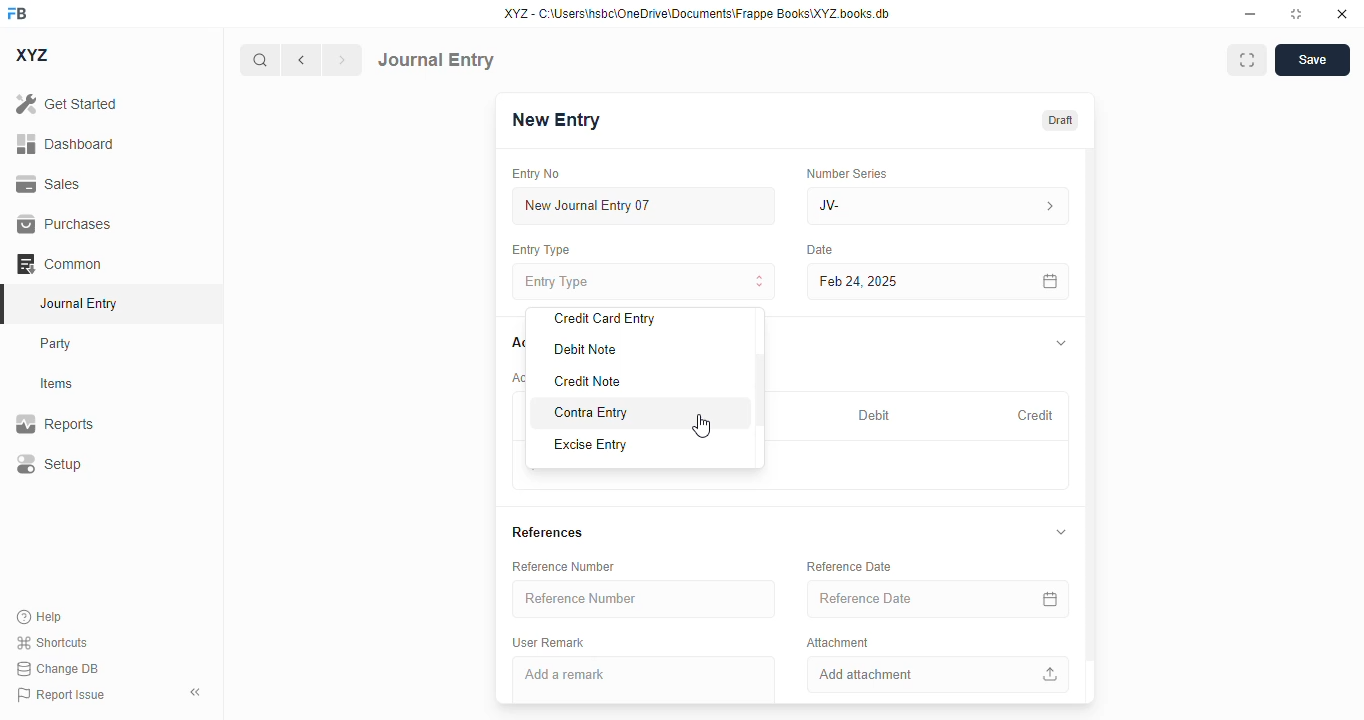 The image size is (1364, 720). I want to click on get started, so click(67, 104).